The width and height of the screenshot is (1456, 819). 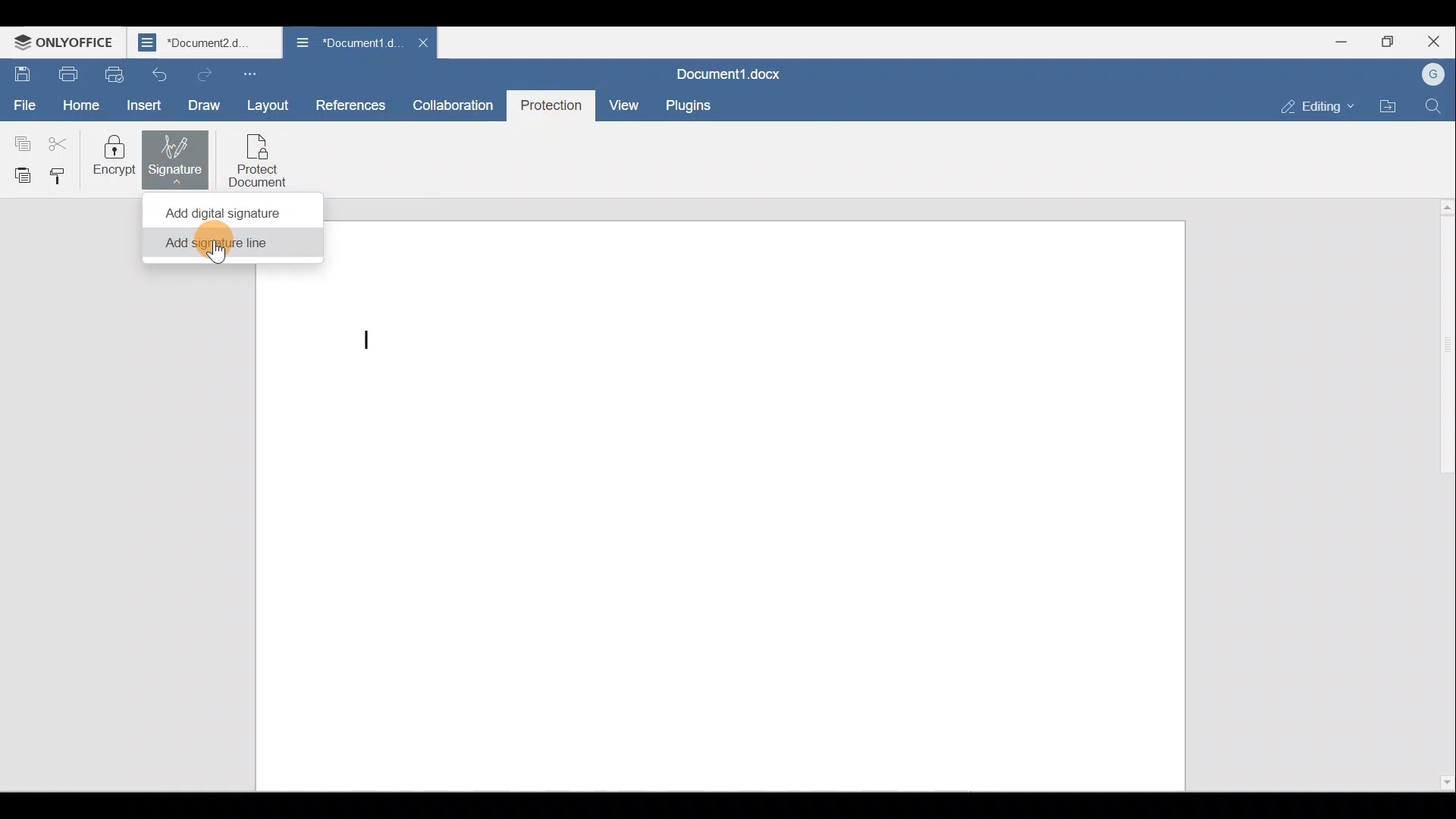 What do you see at coordinates (146, 105) in the screenshot?
I see `Insert` at bounding box center [146, 105].